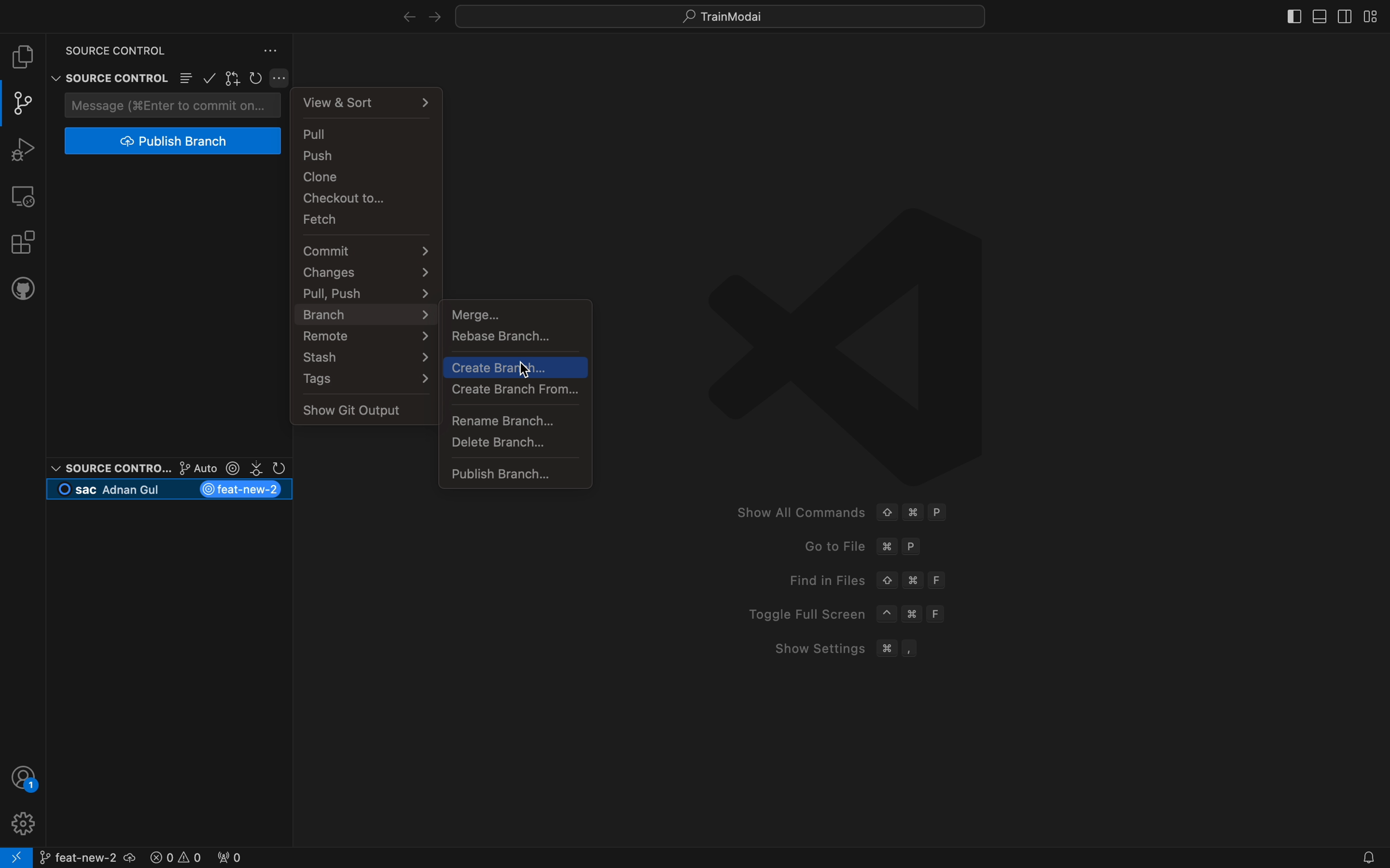  What do you see at coordinates (16, 858) in the screenshot?
I see `remote connect` at bounding box center [16, 858].